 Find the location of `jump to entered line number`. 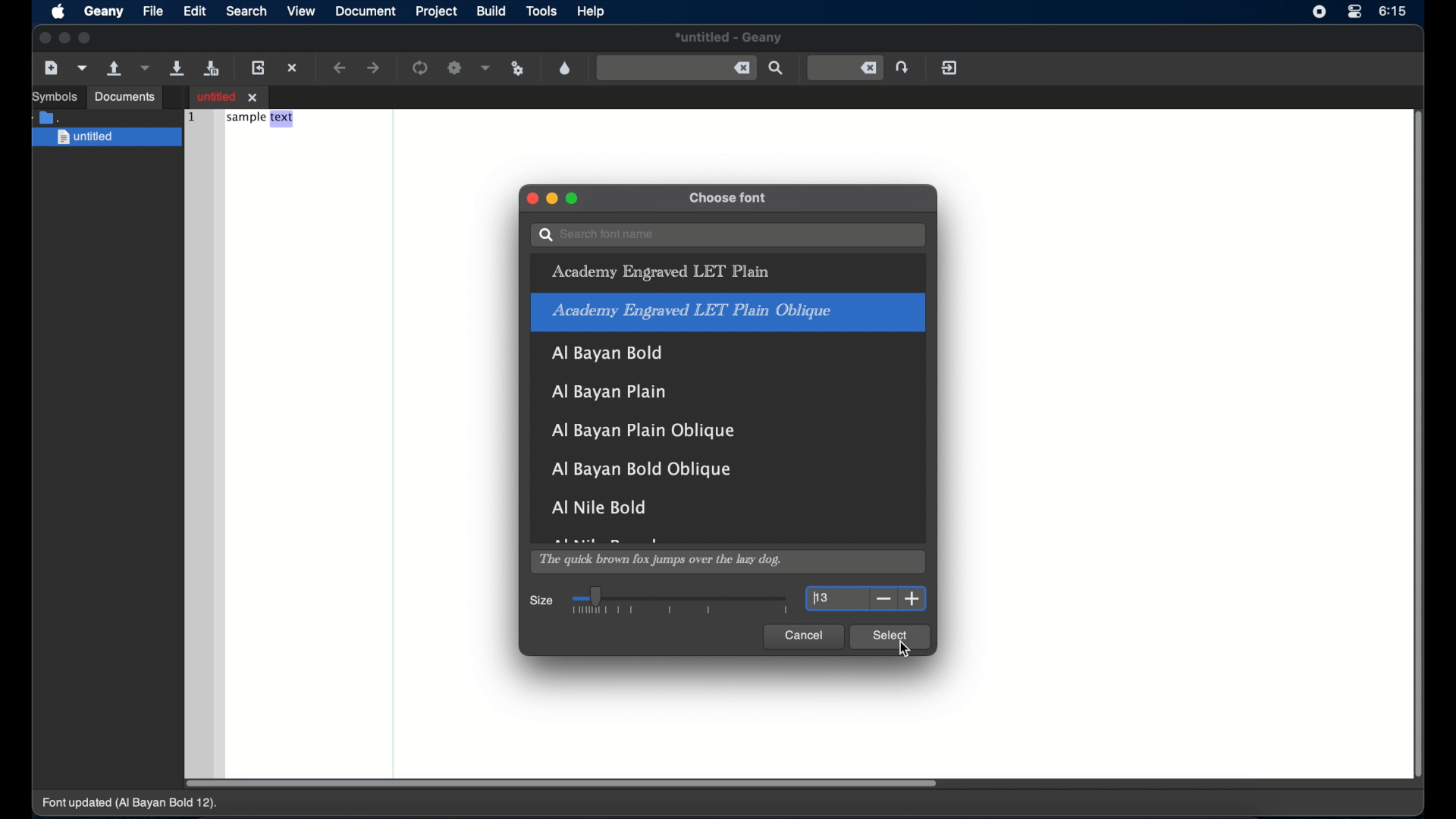

jump to entered line number is located at coordinates (846, 68).